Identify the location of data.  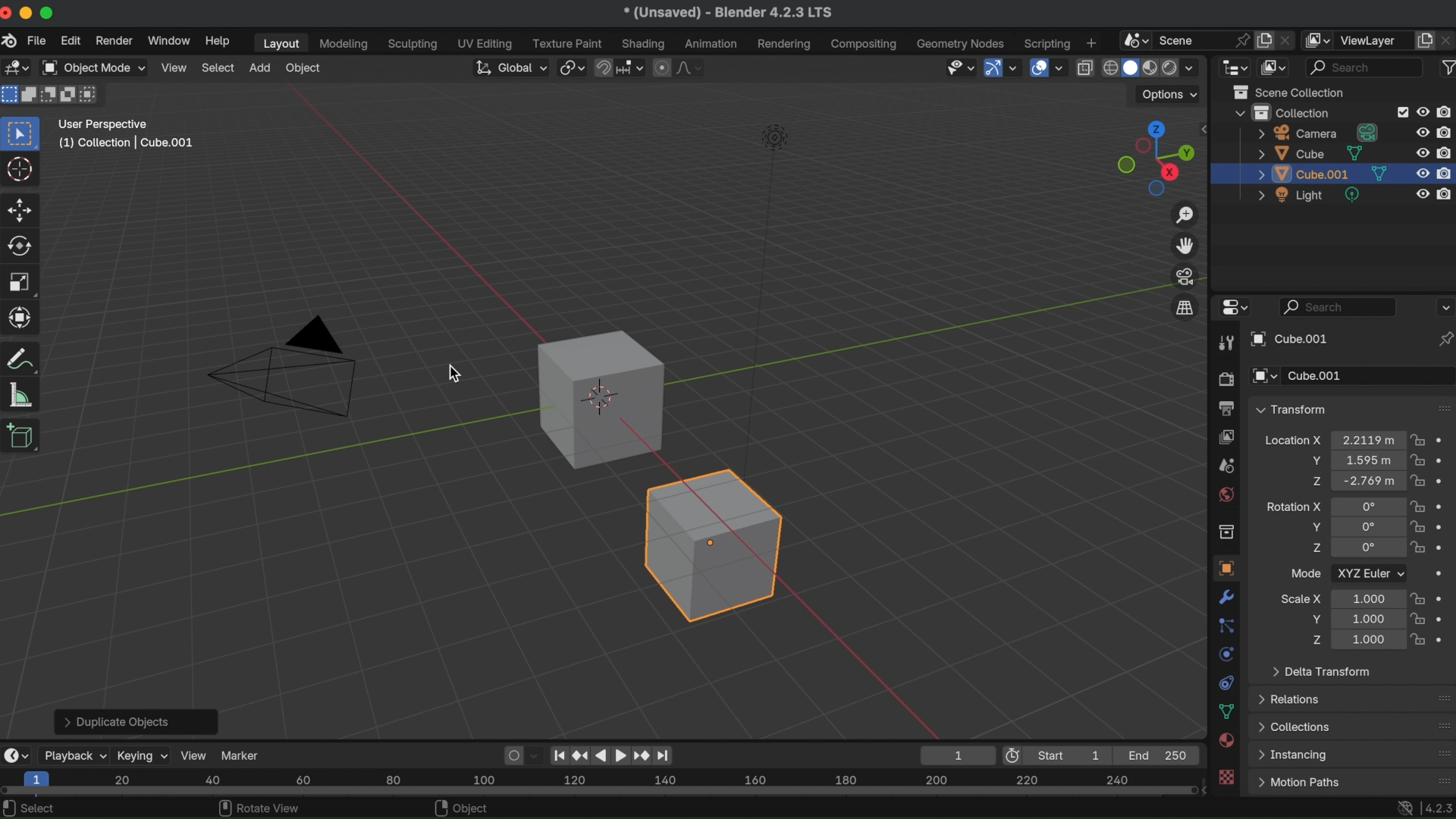
(1227, 711).